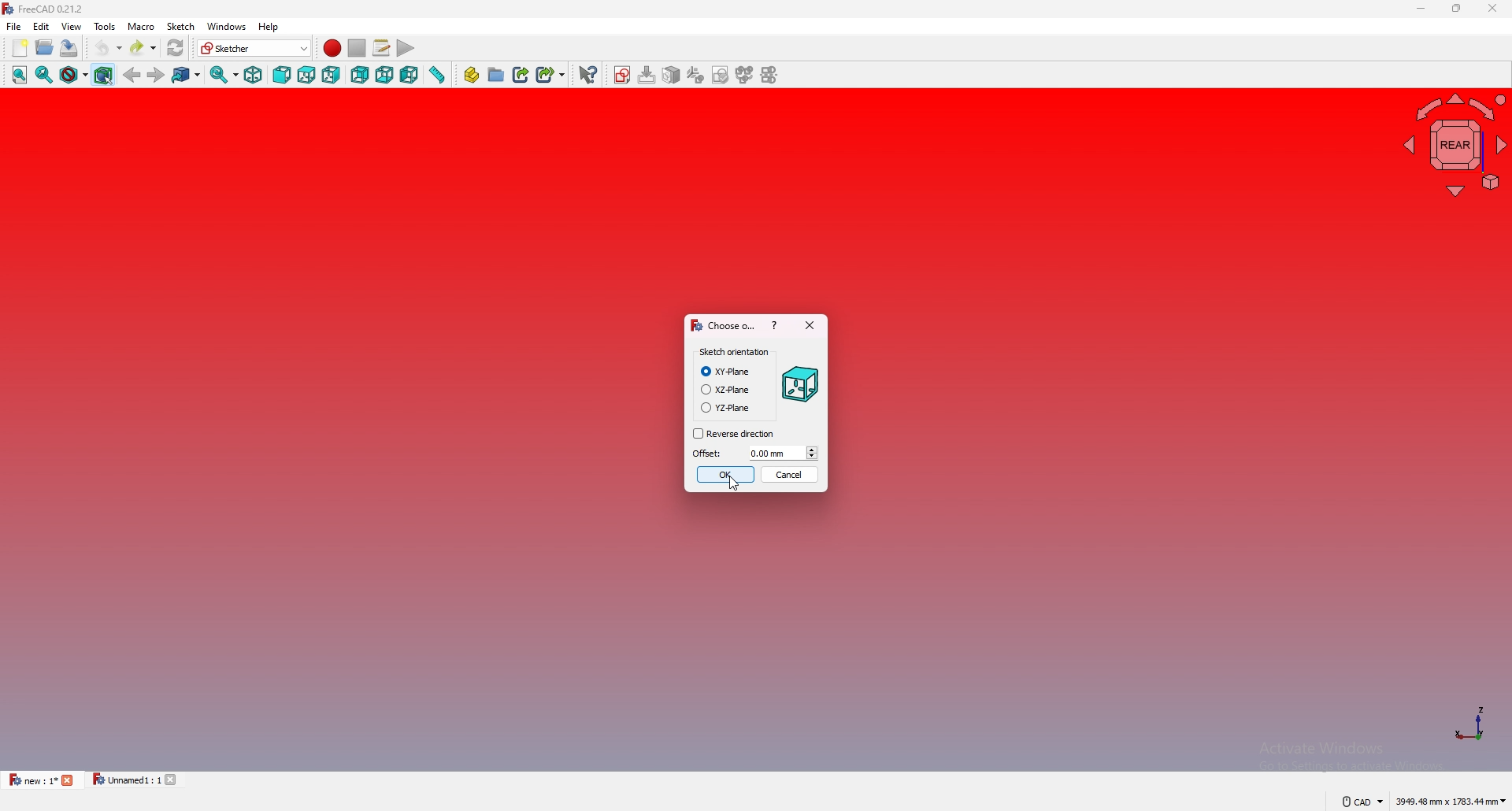 The height and width of the screenshot is (811, 1512). I want to click on create part, so click(471, 75).